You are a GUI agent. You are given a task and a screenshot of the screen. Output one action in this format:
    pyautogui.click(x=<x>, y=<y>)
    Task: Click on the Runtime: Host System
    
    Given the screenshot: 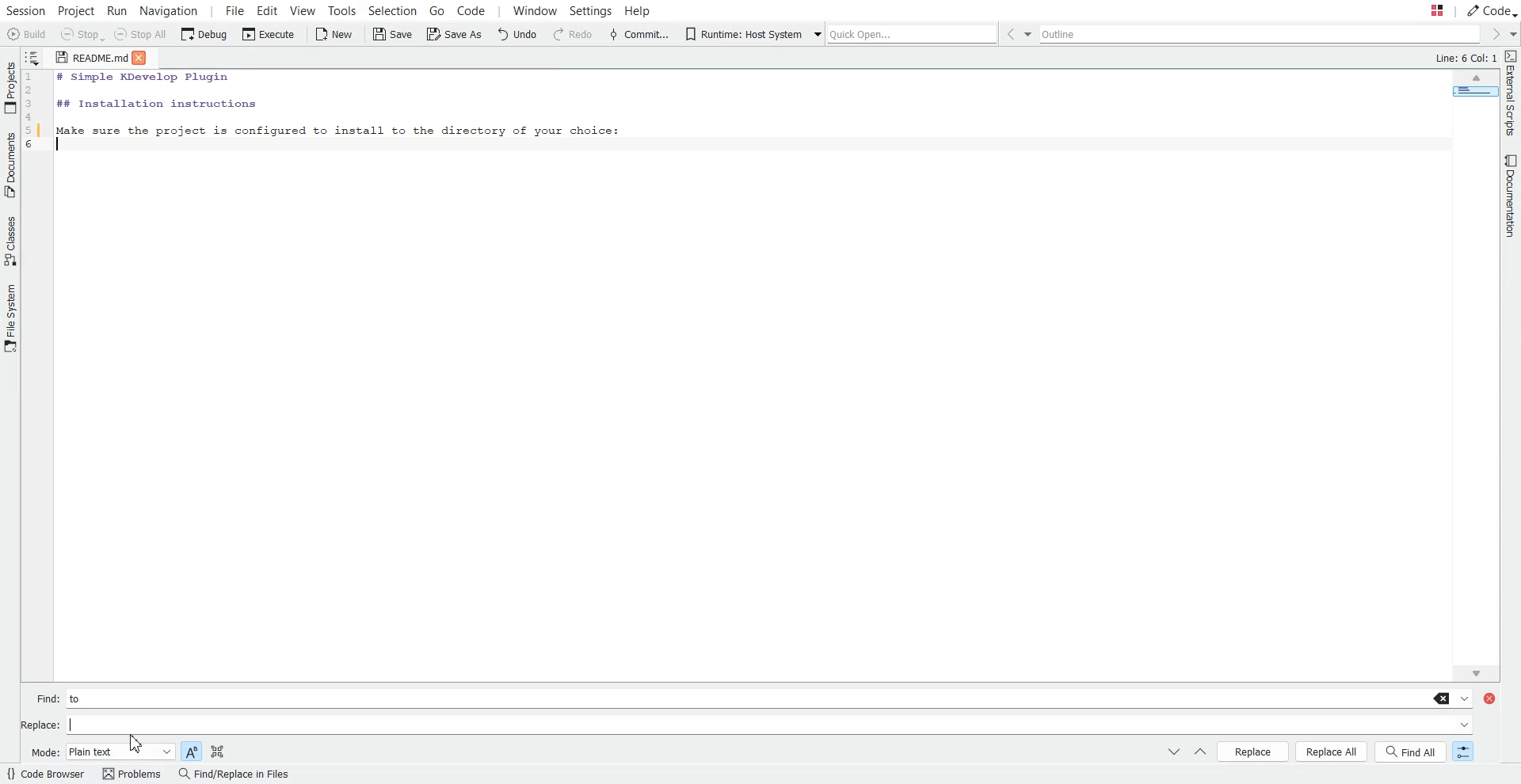 What is the action you would take?
    pyautogui.click(x=742, y=34)
    